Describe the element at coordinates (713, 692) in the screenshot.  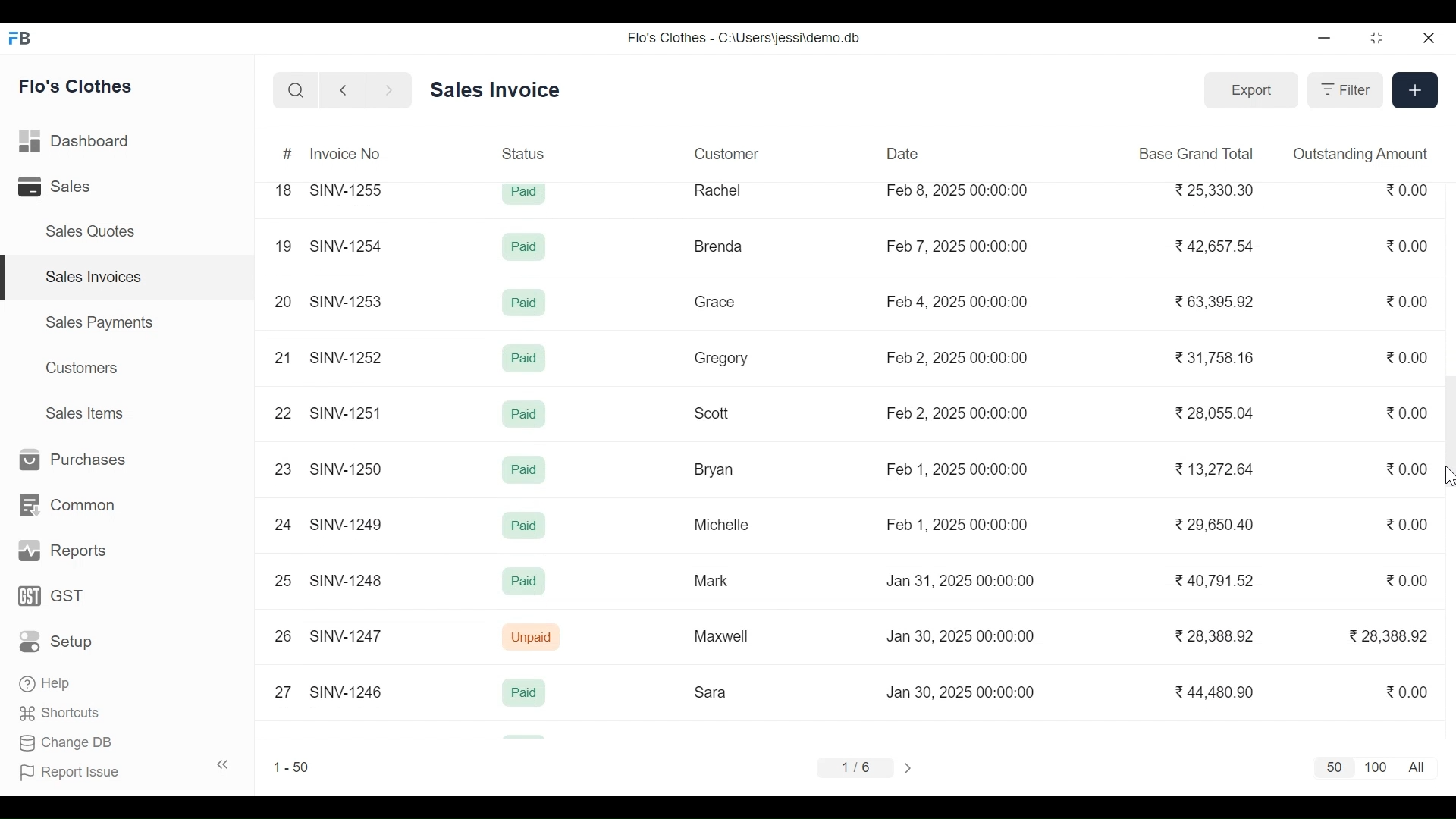
I see `Sara` at that location.